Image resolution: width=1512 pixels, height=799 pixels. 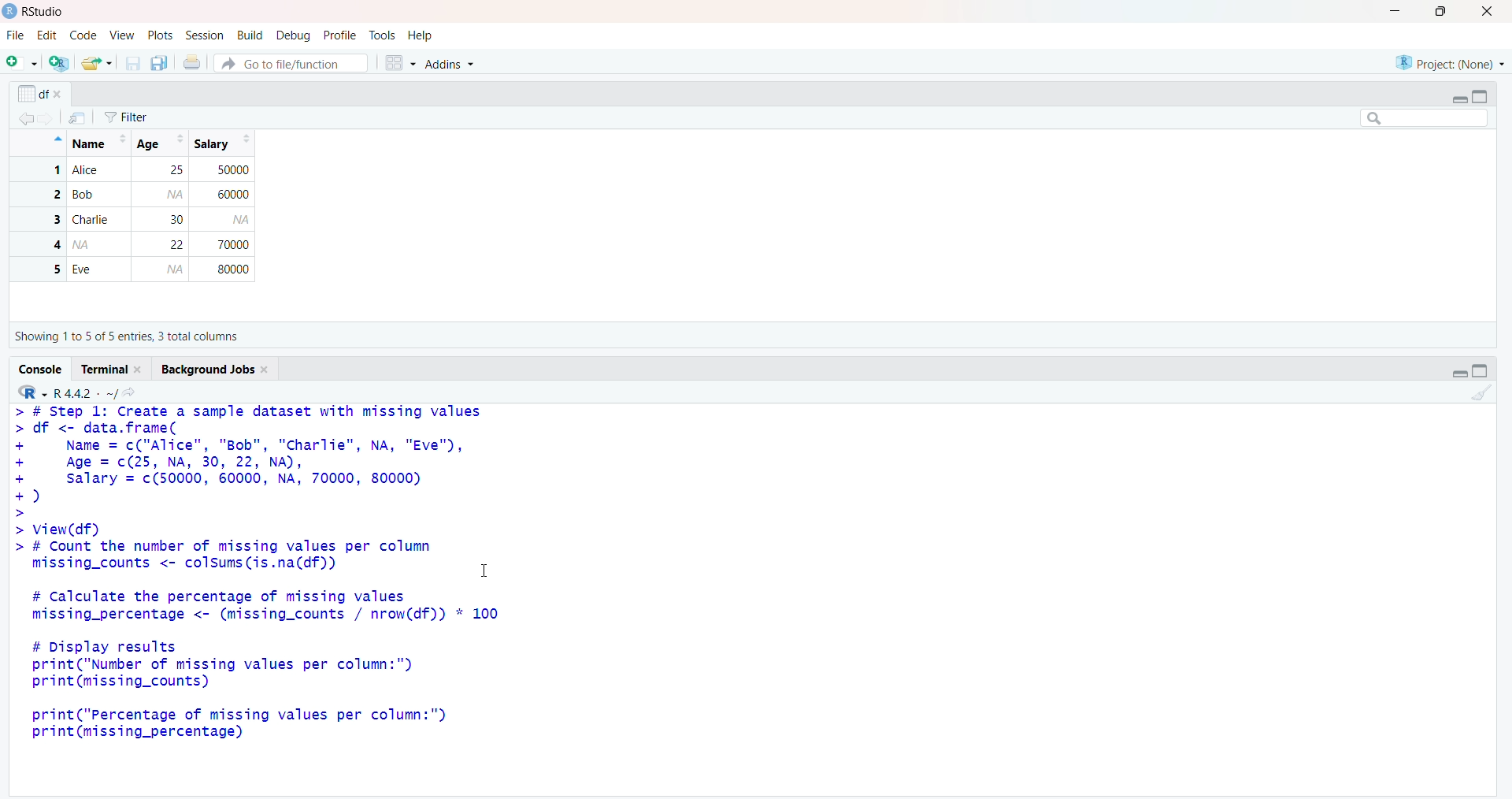 What do you see at coordinates (1482, 397) in the screenshot?
I see `Clear console` at bounding box center [1482, 397].